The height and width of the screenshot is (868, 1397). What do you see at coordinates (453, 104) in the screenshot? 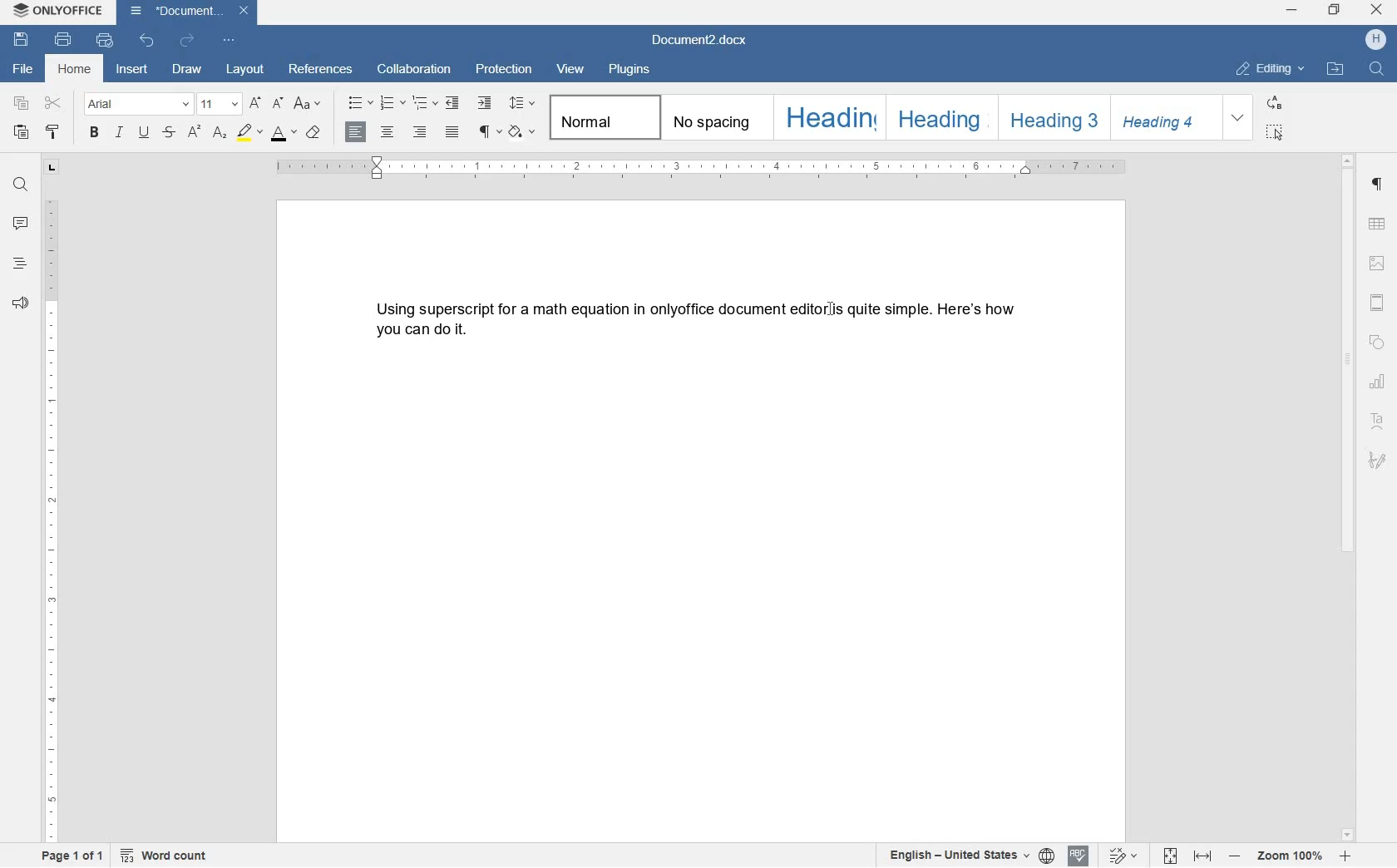
I see `decrease indent` at bounding box center [453, 104].